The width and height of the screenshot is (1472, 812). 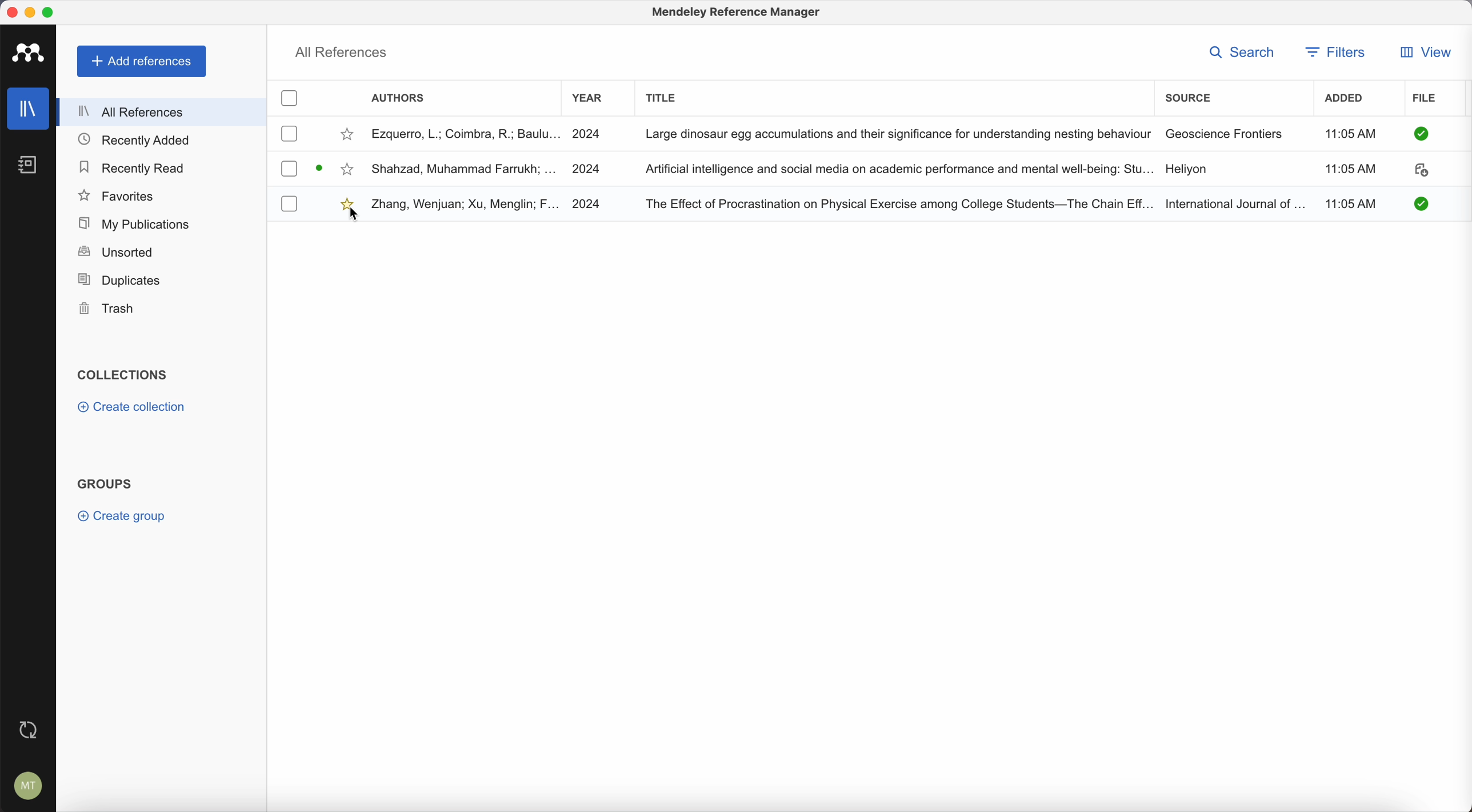 I want to click on Zhang, Wenjuan; Xu, Menglin; F..., so click(x=466, y=205).